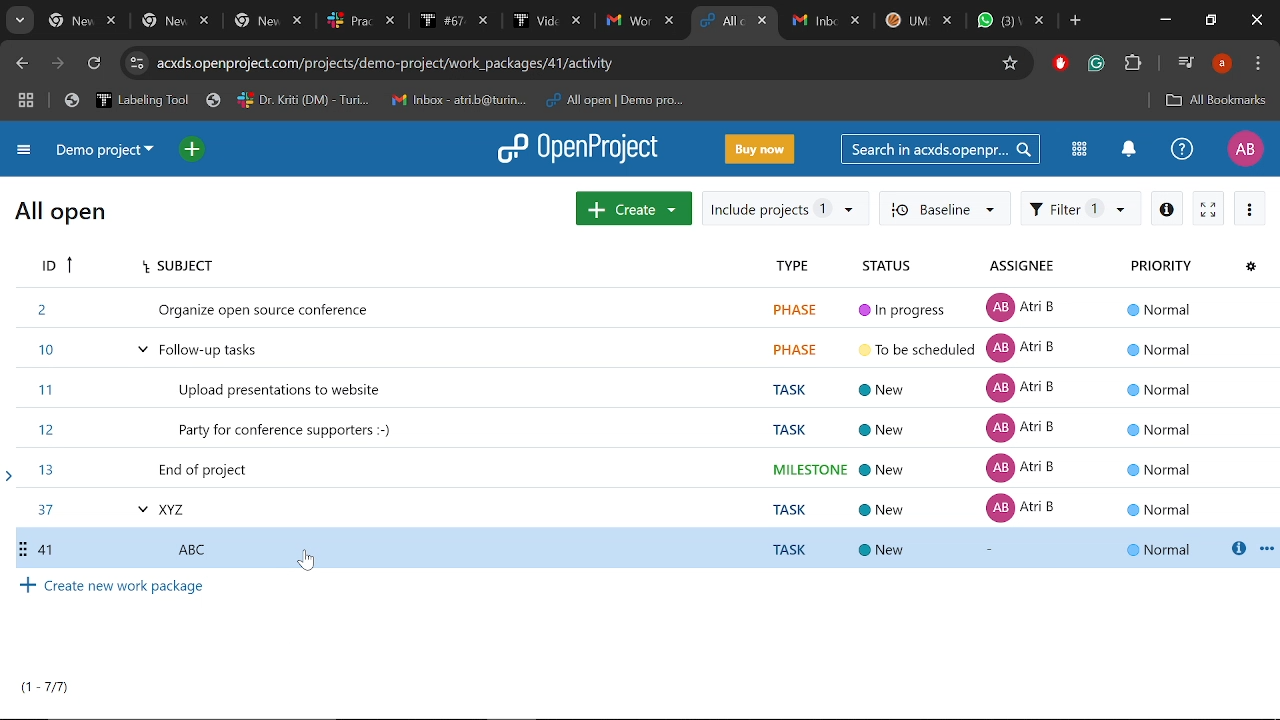 This screenshot has height=720, width=1280. I want to click on Control audio/video, so click(1184, 62).